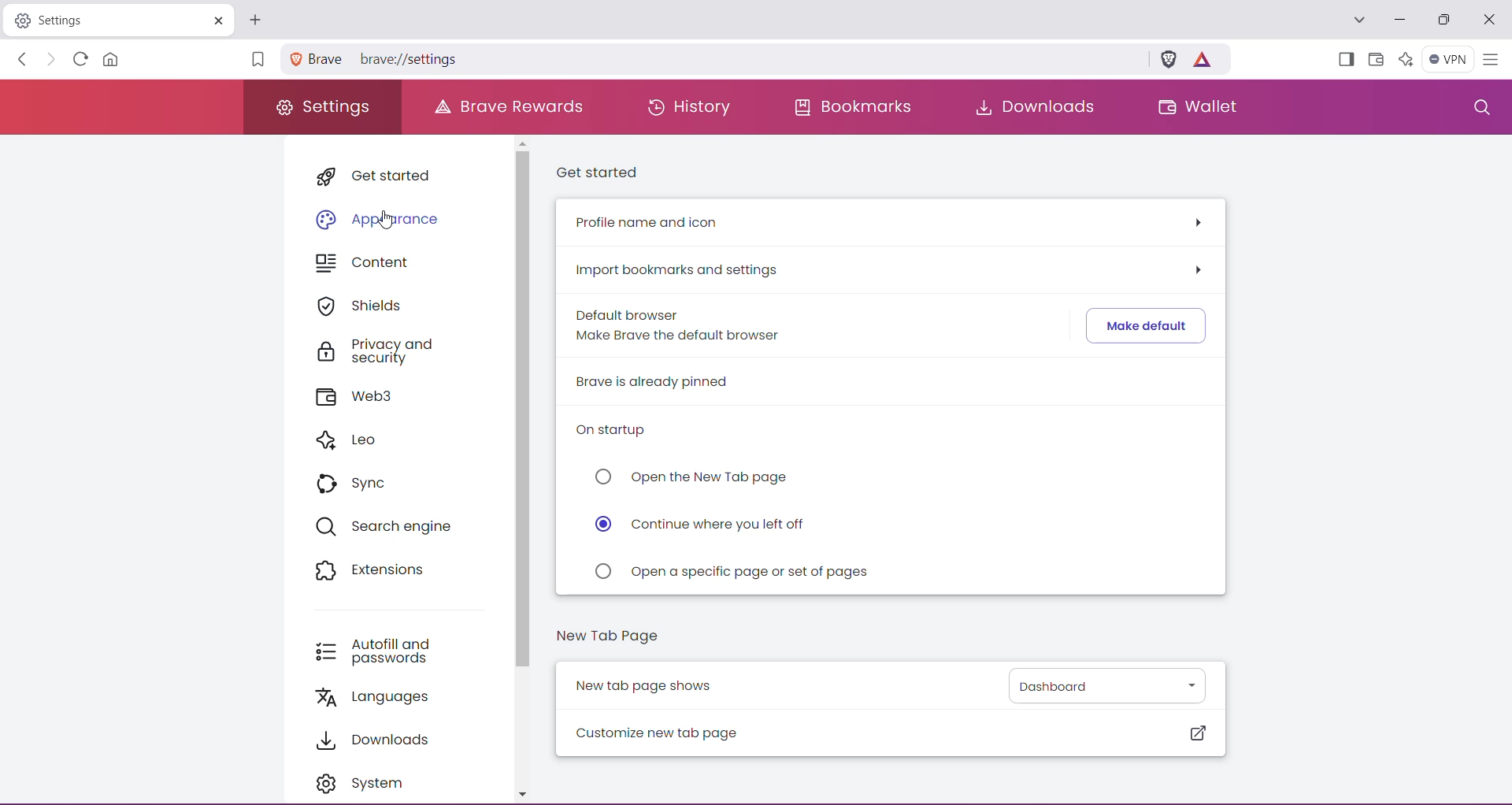 The height and width of the screenshot is (805, 1512). Describe the element at coordinates (644, 684) in the screenshot. I see `New tab page shows` at that location.